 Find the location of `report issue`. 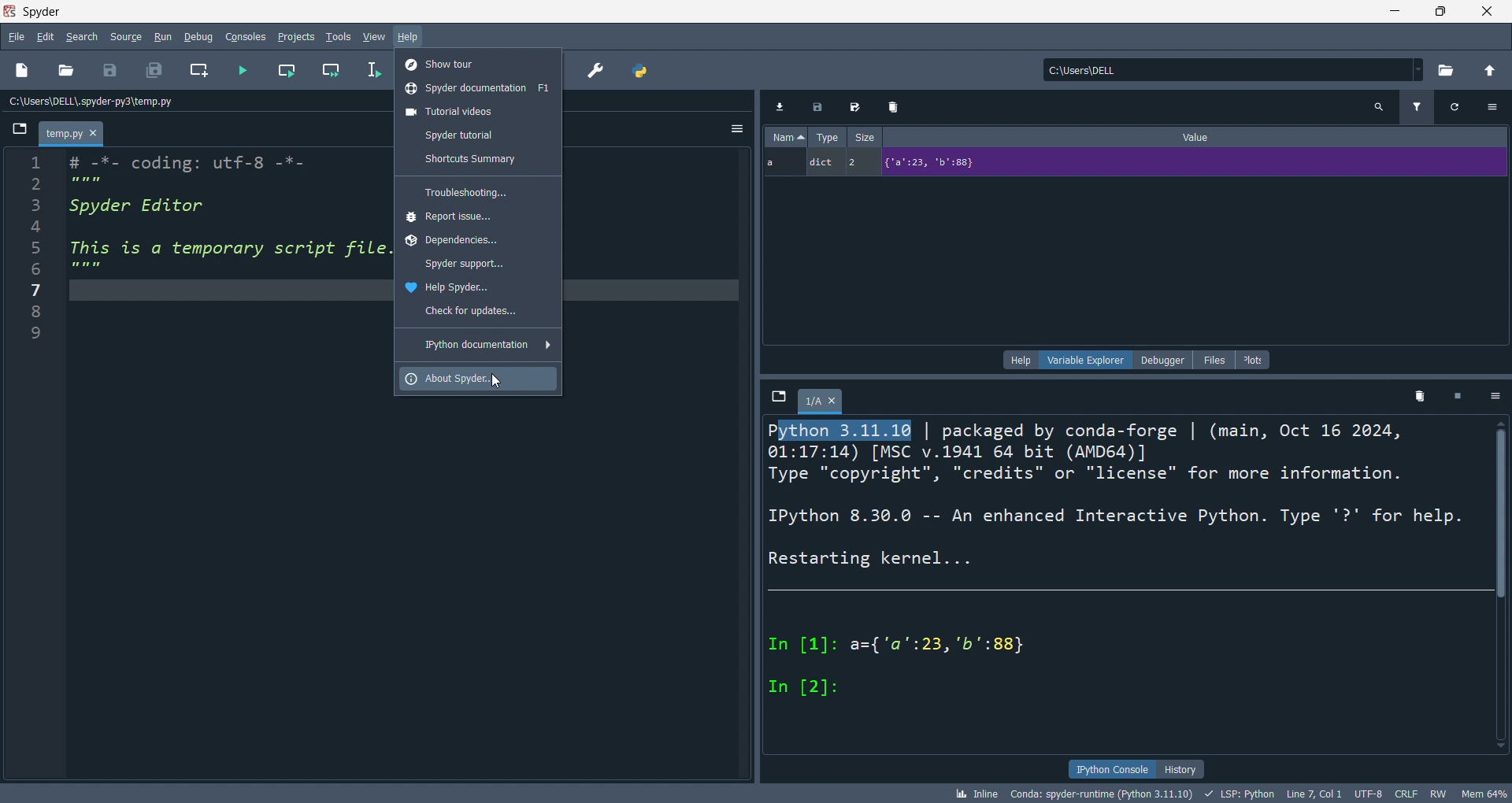

report issue is located at coordinates (479, 216).